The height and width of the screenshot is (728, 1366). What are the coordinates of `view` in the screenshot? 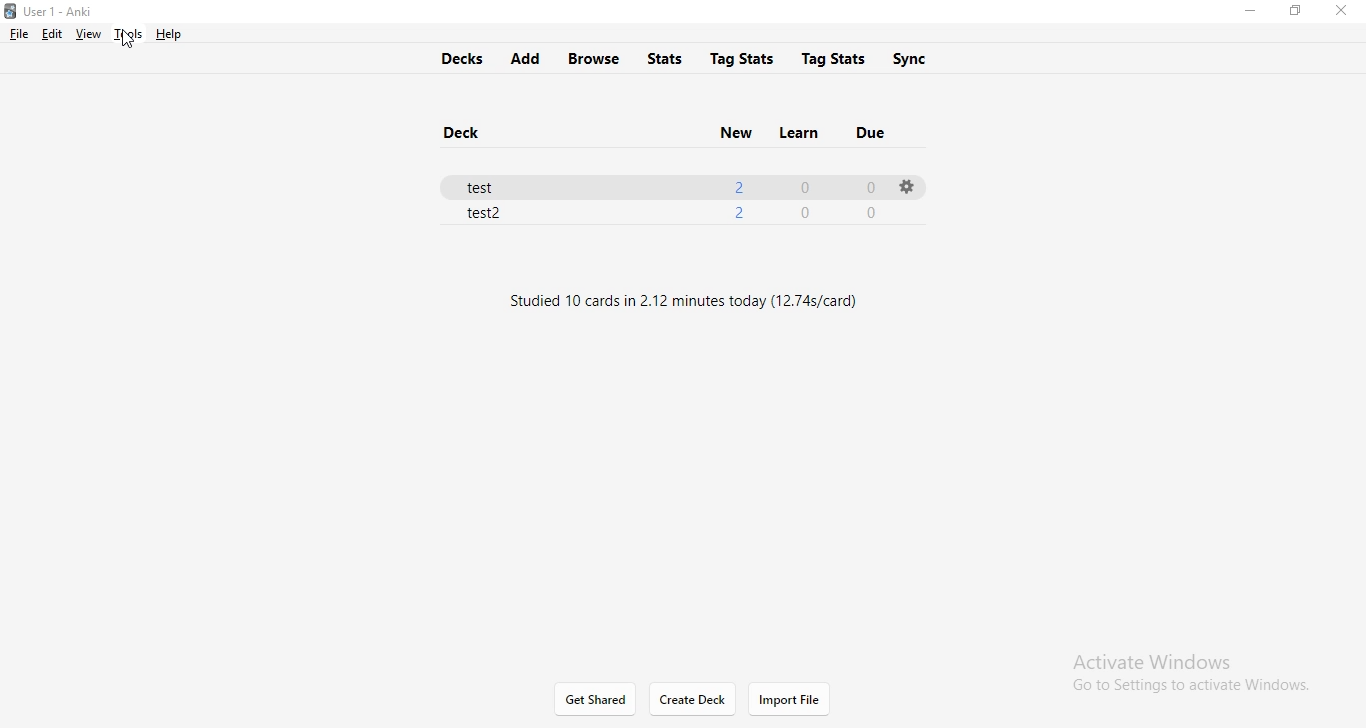 It's located at (86, 34).